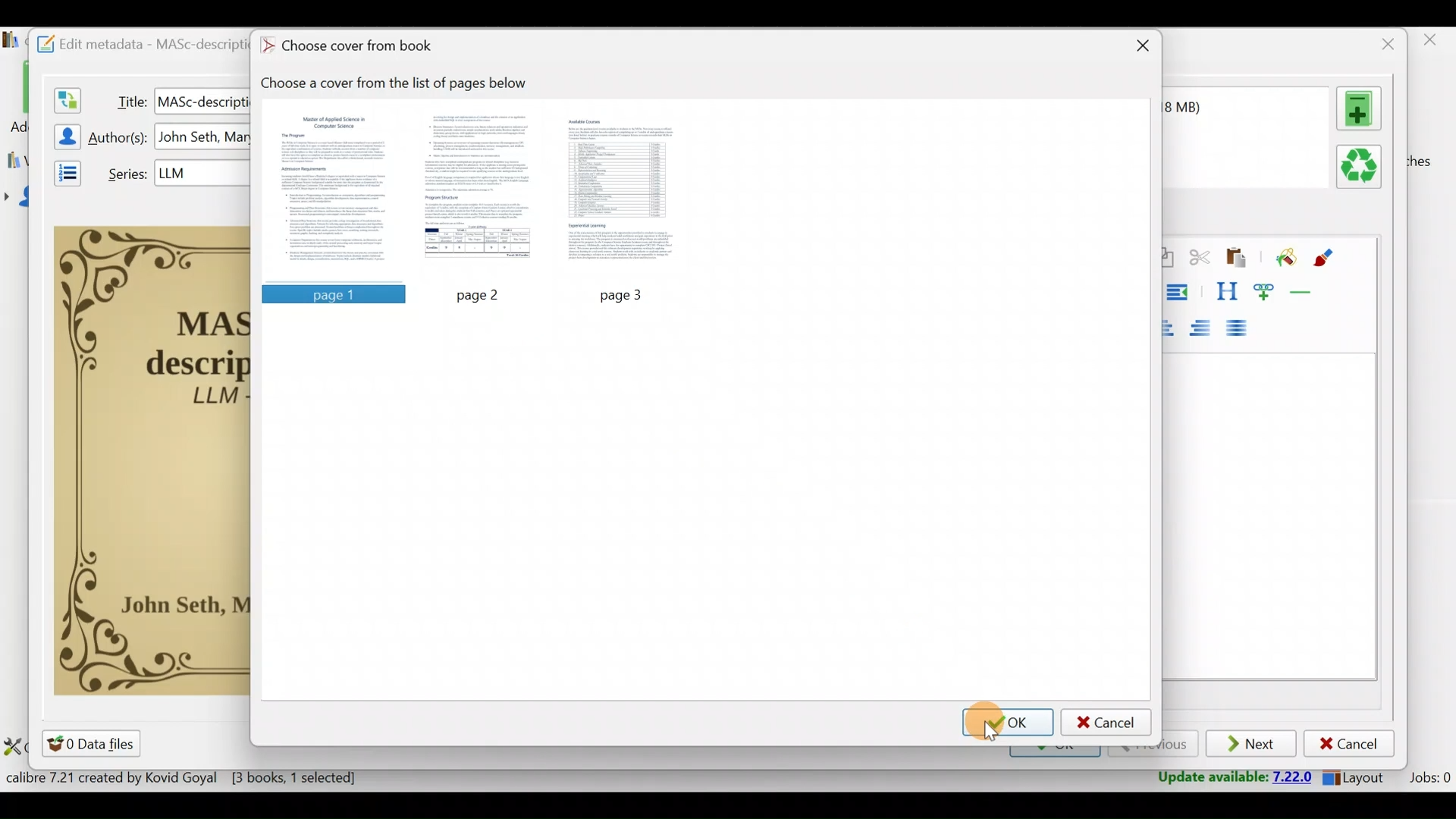  What do you see at coordinates (63, 134) in the screenshot?
I see `Open the manage authors editor` at bounding box center [63, 134].